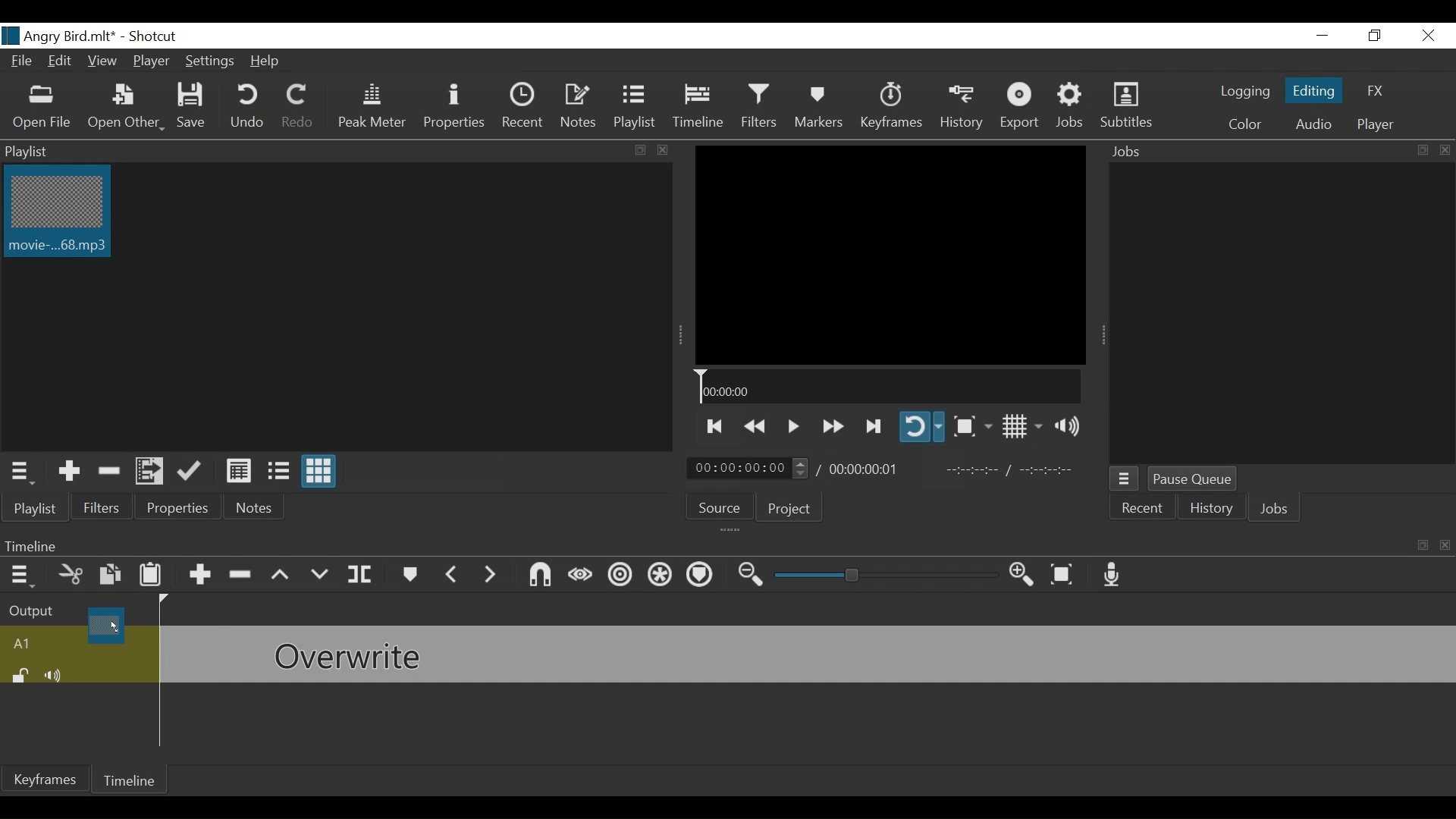 This screenshot has width=1456, height=819. I want to click on FX, so click(1373, 91).